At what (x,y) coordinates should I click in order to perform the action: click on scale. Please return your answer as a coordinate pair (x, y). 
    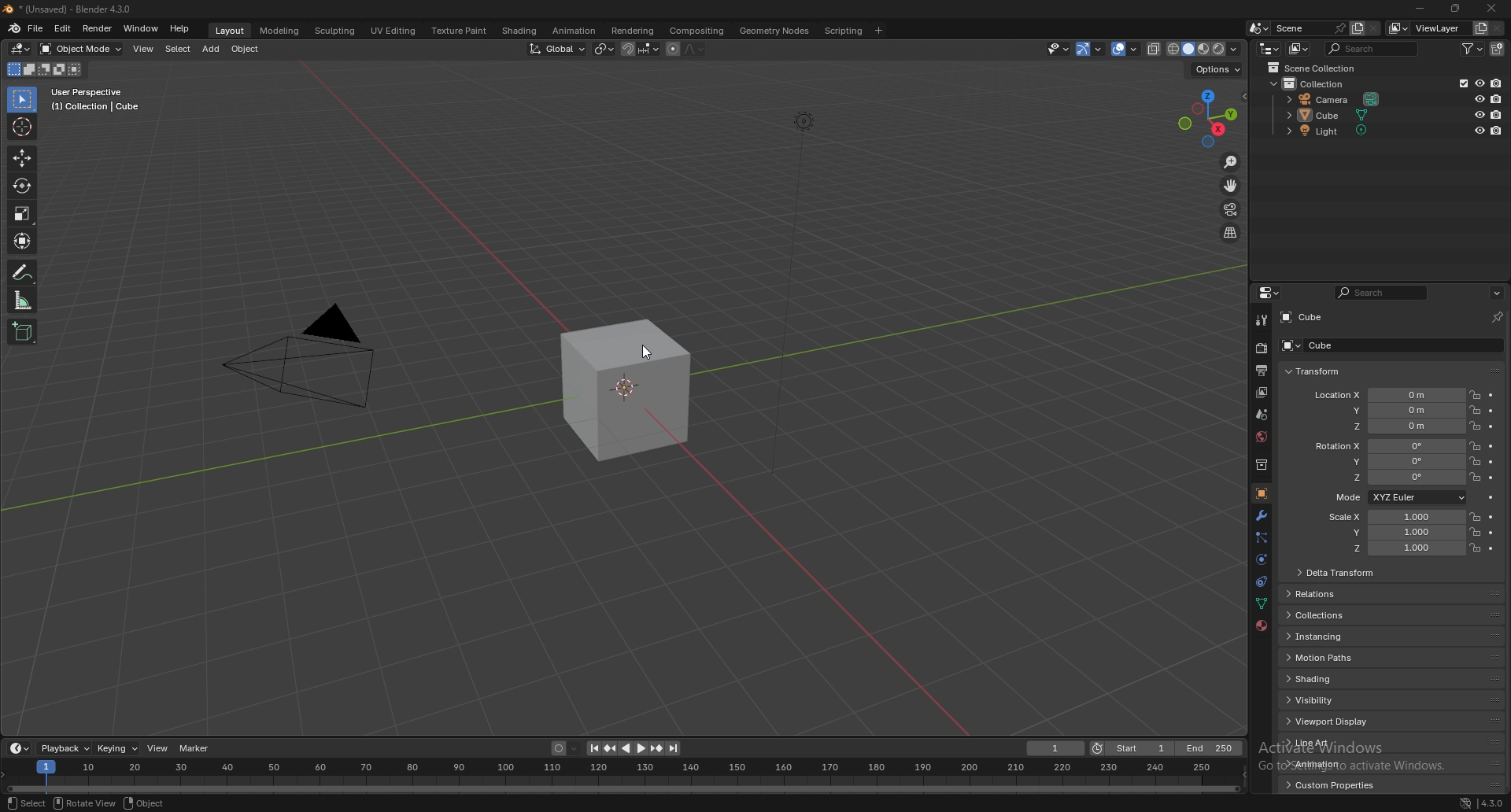
    Looking at the image, I should click on (22, 213).